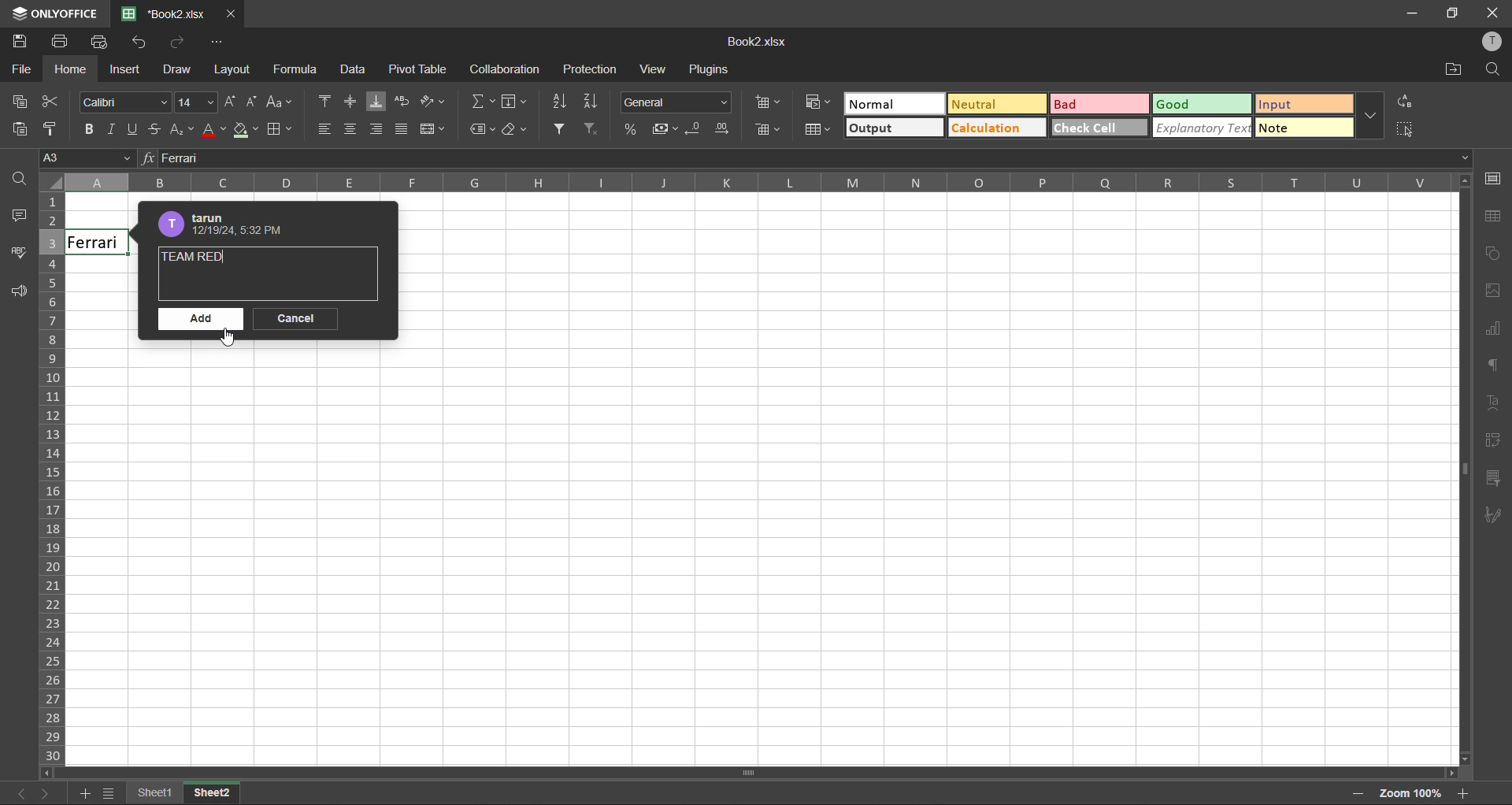  What do you see at coordinates (380, 128) in the screenshot?
I see `align right` at bounding box center [380, 128].